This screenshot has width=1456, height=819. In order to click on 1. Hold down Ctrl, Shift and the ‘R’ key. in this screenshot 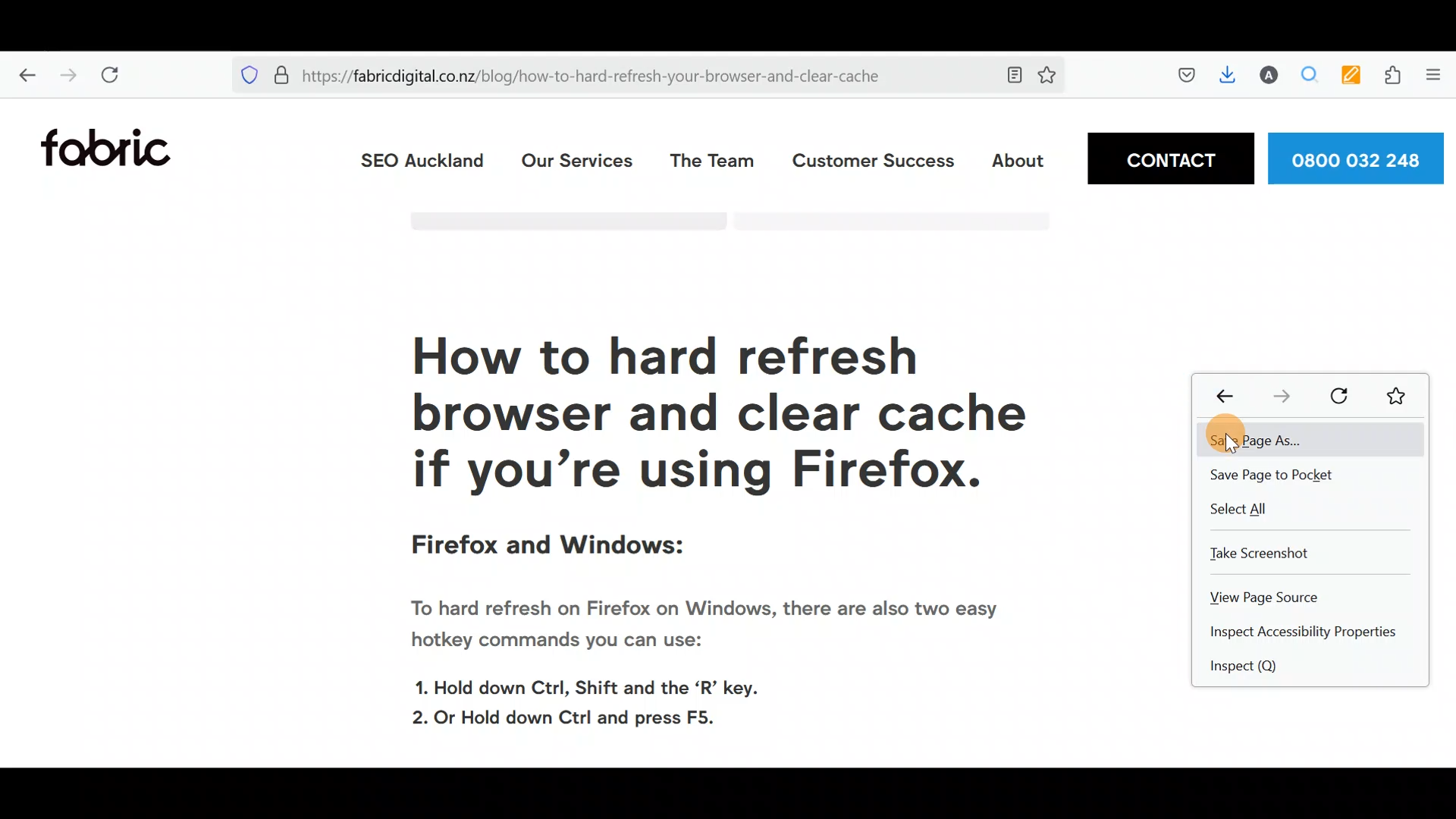, I will do `click(599, 684)`.